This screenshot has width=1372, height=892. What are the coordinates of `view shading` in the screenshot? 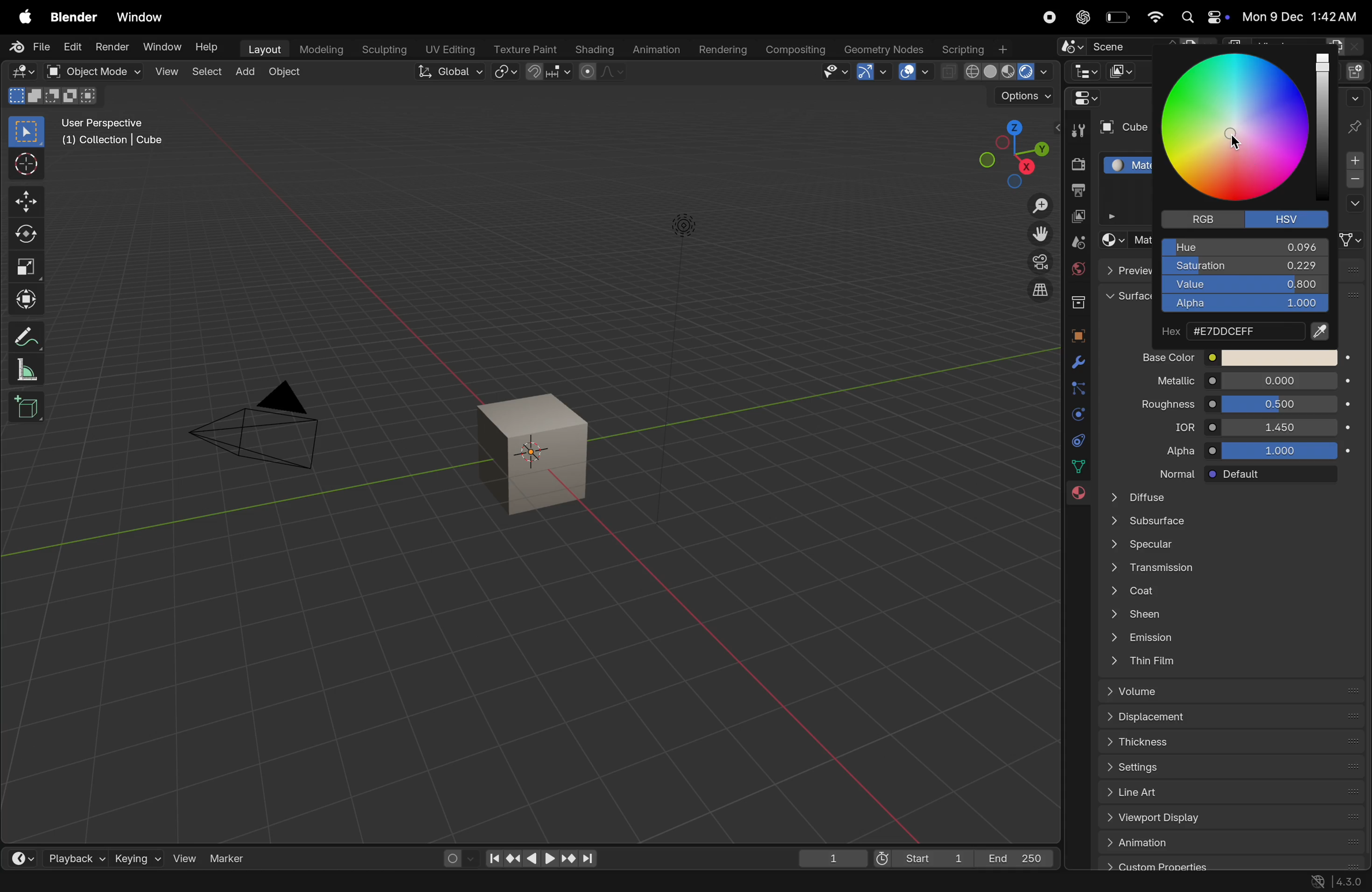 It's located at (997, 73).